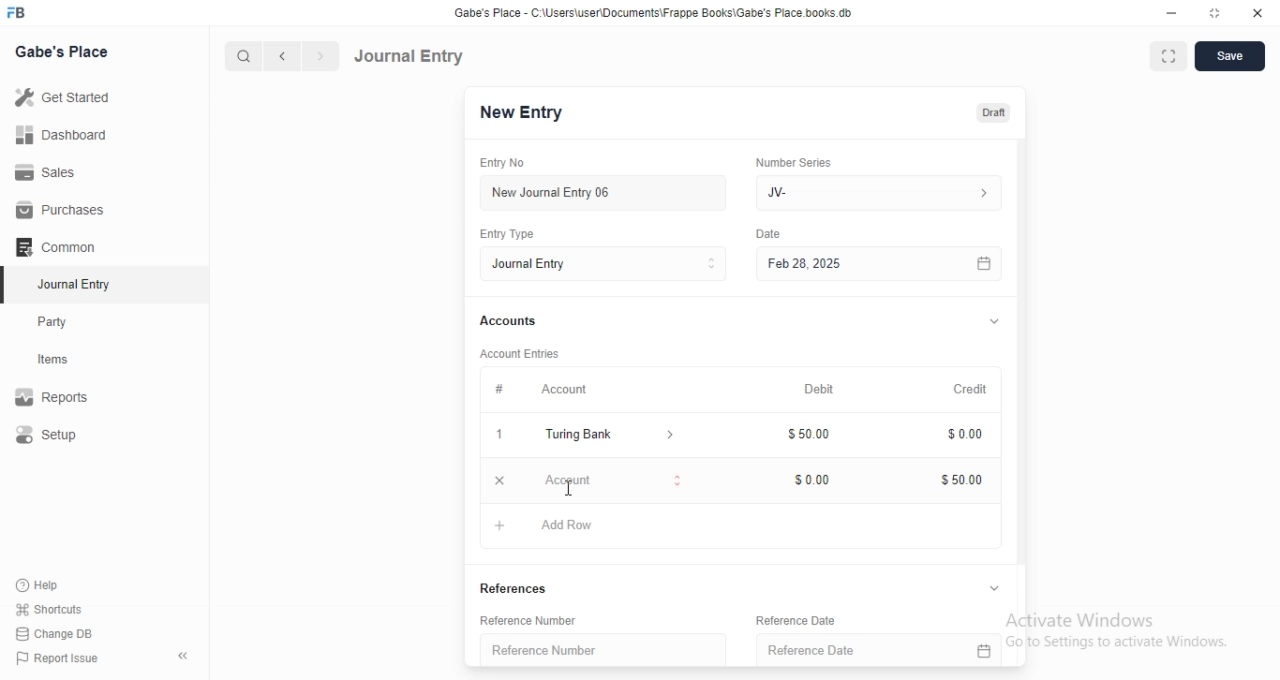 This screenshot has height=680, width=1280. I want to click on Dashboard, so click(66, 134).